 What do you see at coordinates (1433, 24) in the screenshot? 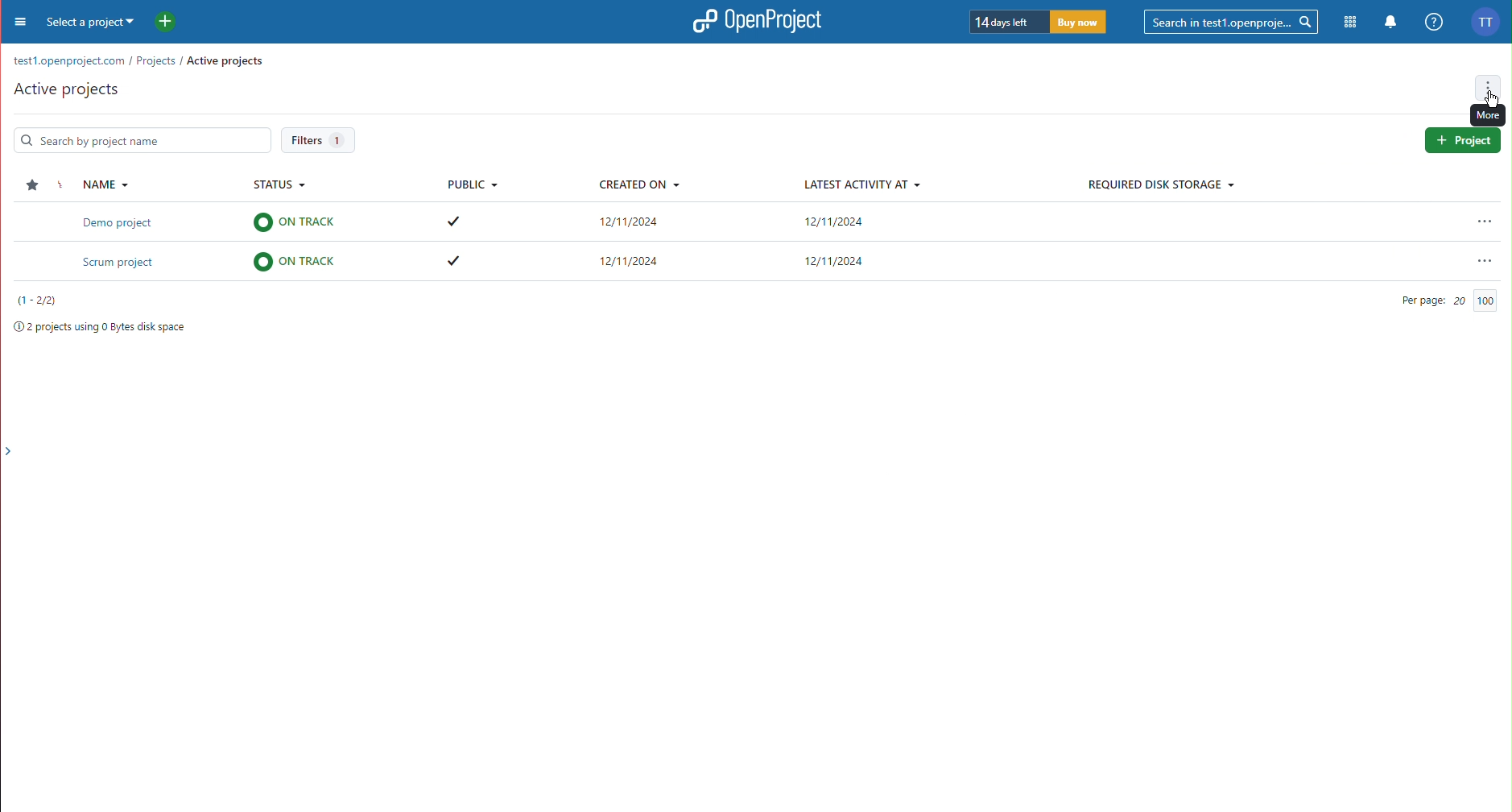
I see `Help` at bounding box center [1433, 24].